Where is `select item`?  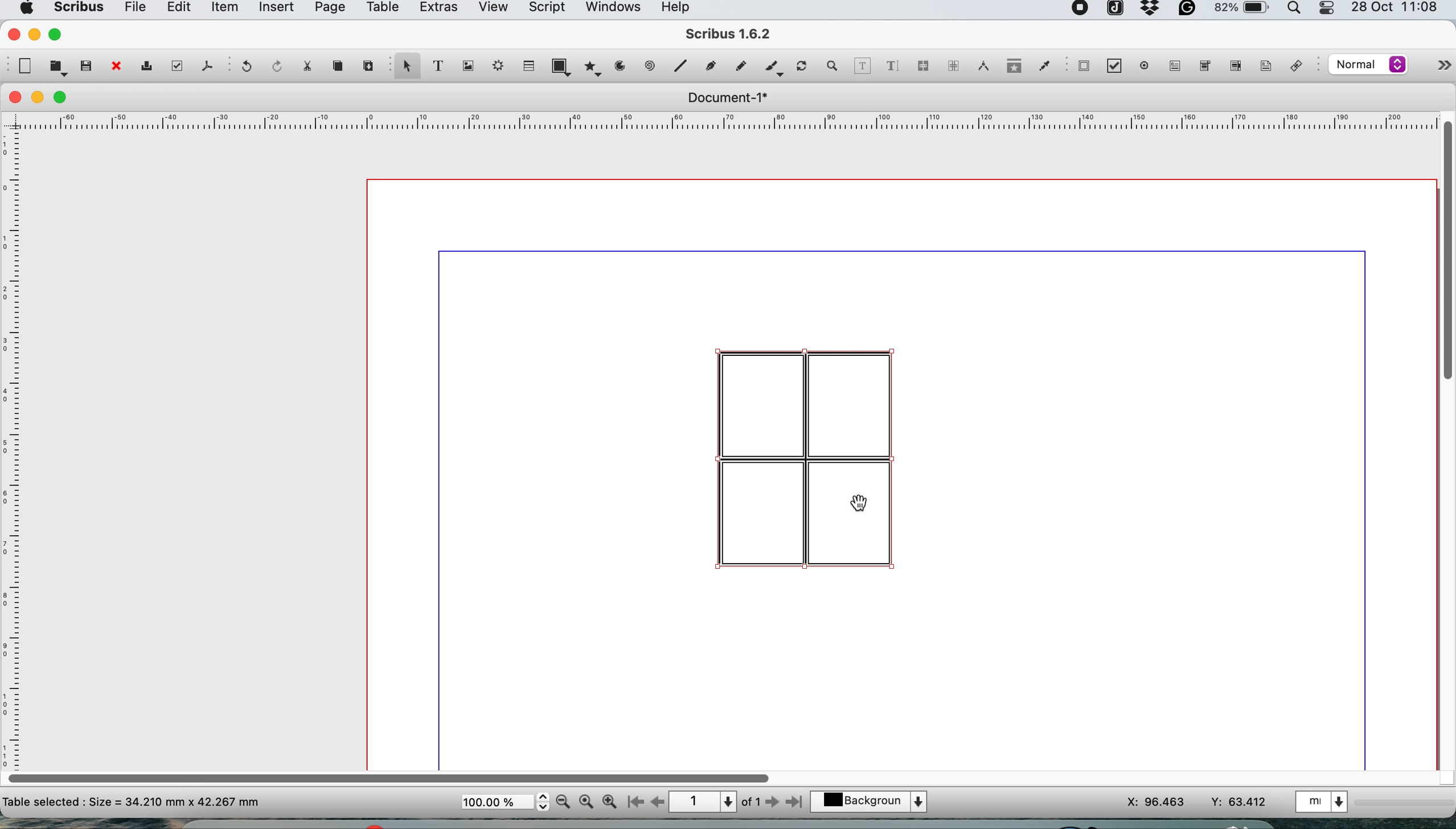
select item is located at coordinates (405, 67).